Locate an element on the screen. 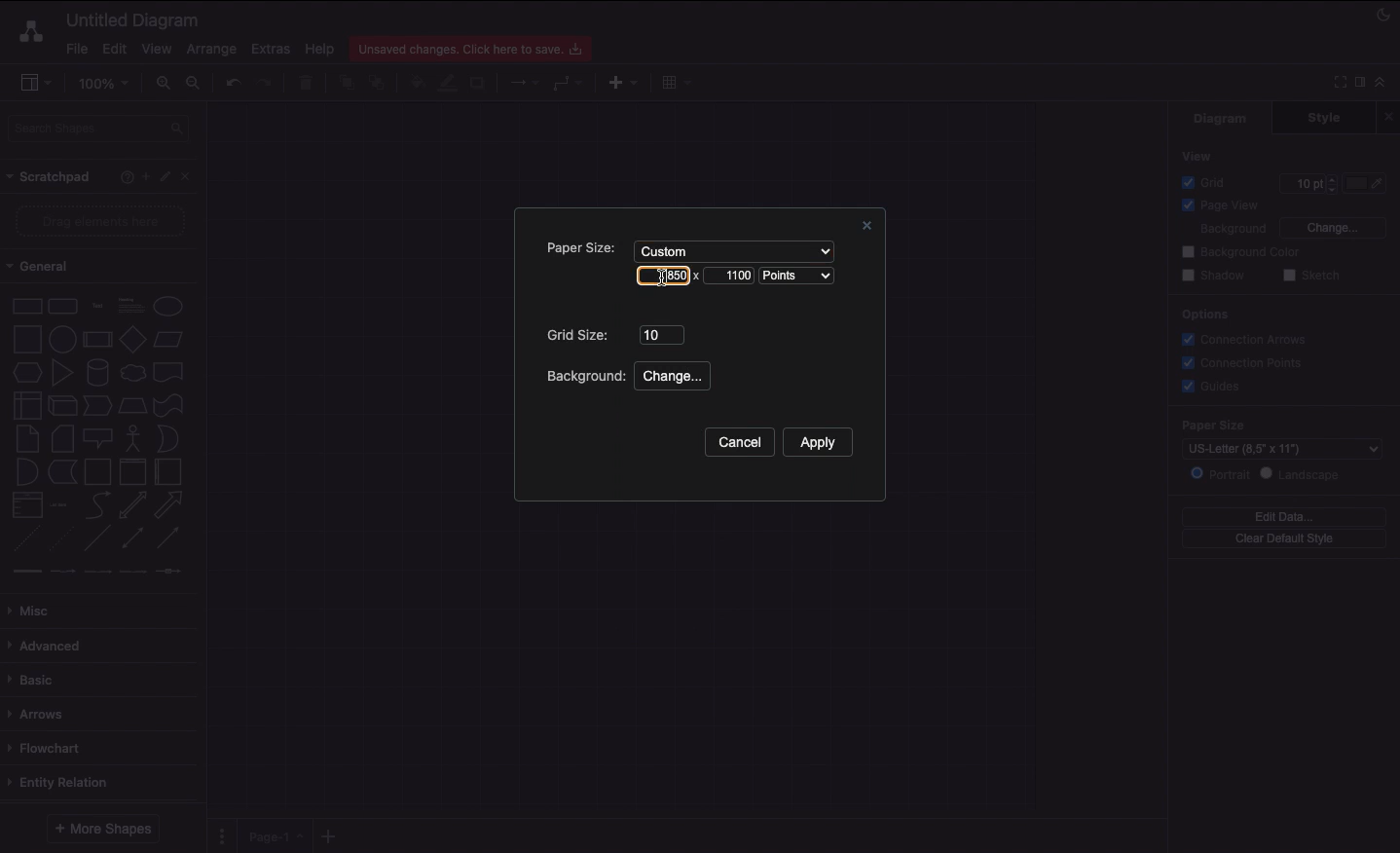  850 is located at coordinates (665, 275).